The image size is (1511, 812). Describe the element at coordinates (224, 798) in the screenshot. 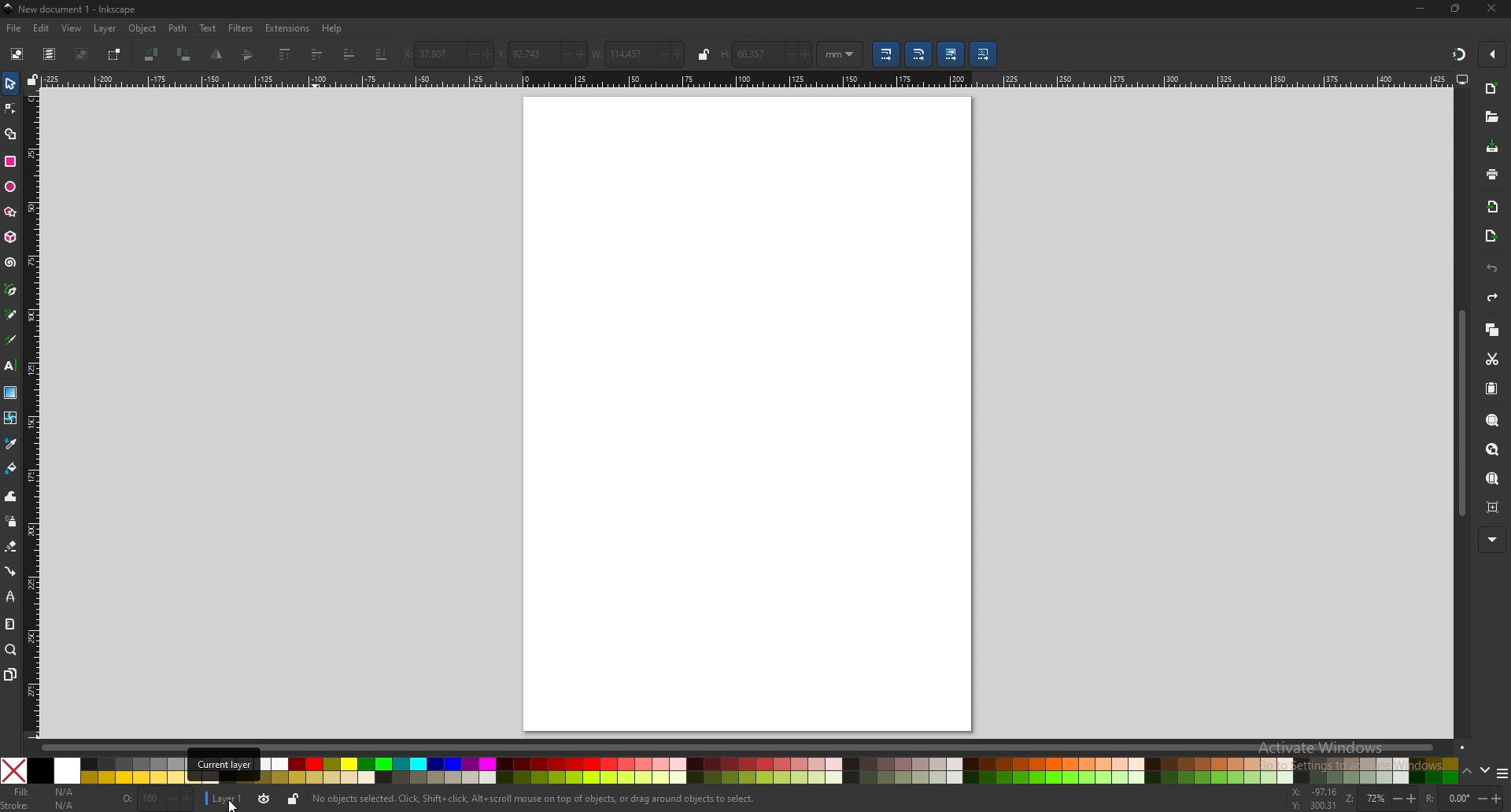

I see `layer` at that location.